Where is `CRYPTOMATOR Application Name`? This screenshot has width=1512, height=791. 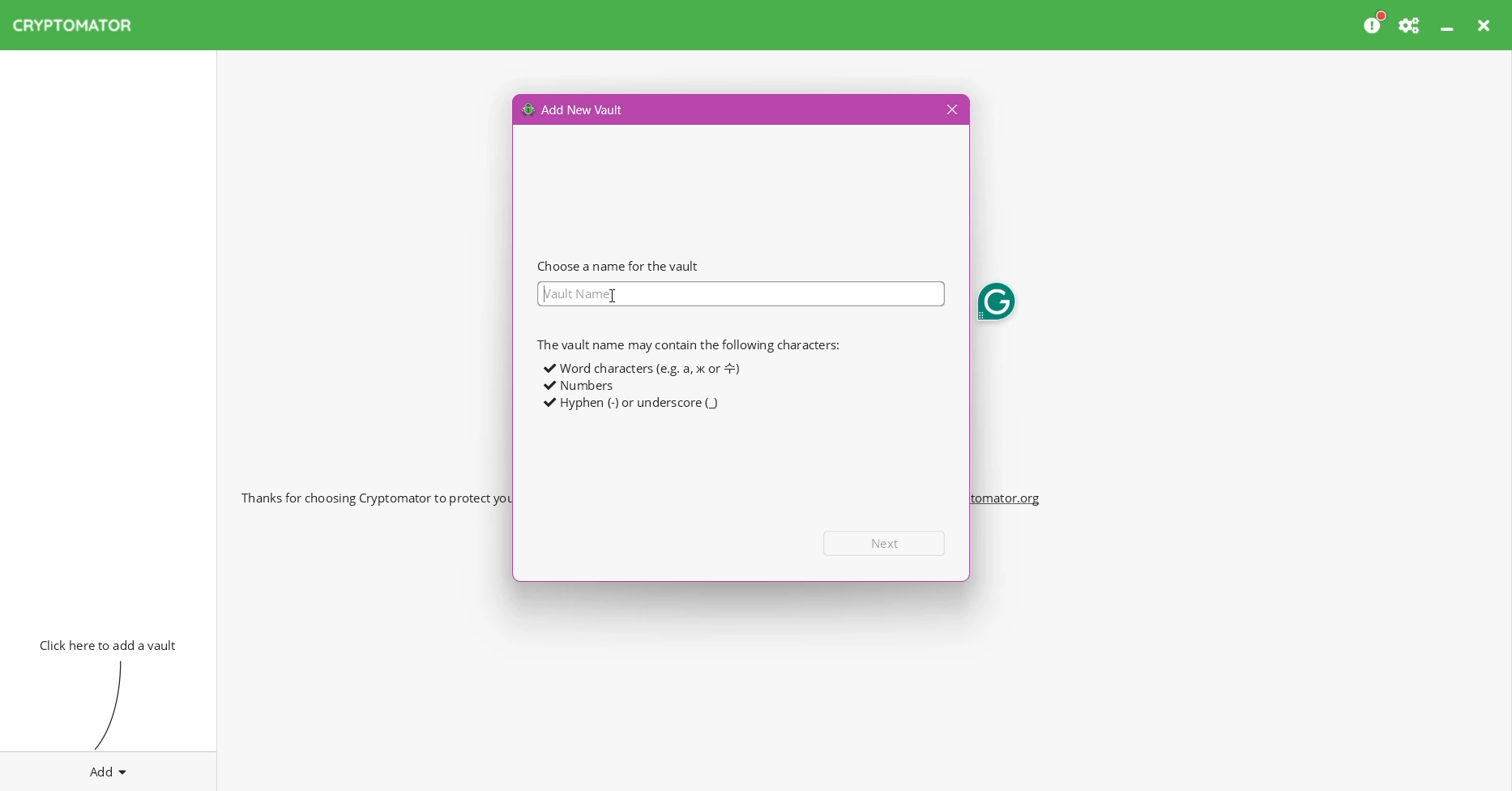 CRYPTOMATOR Application Name is located at coordinates (80, 25).